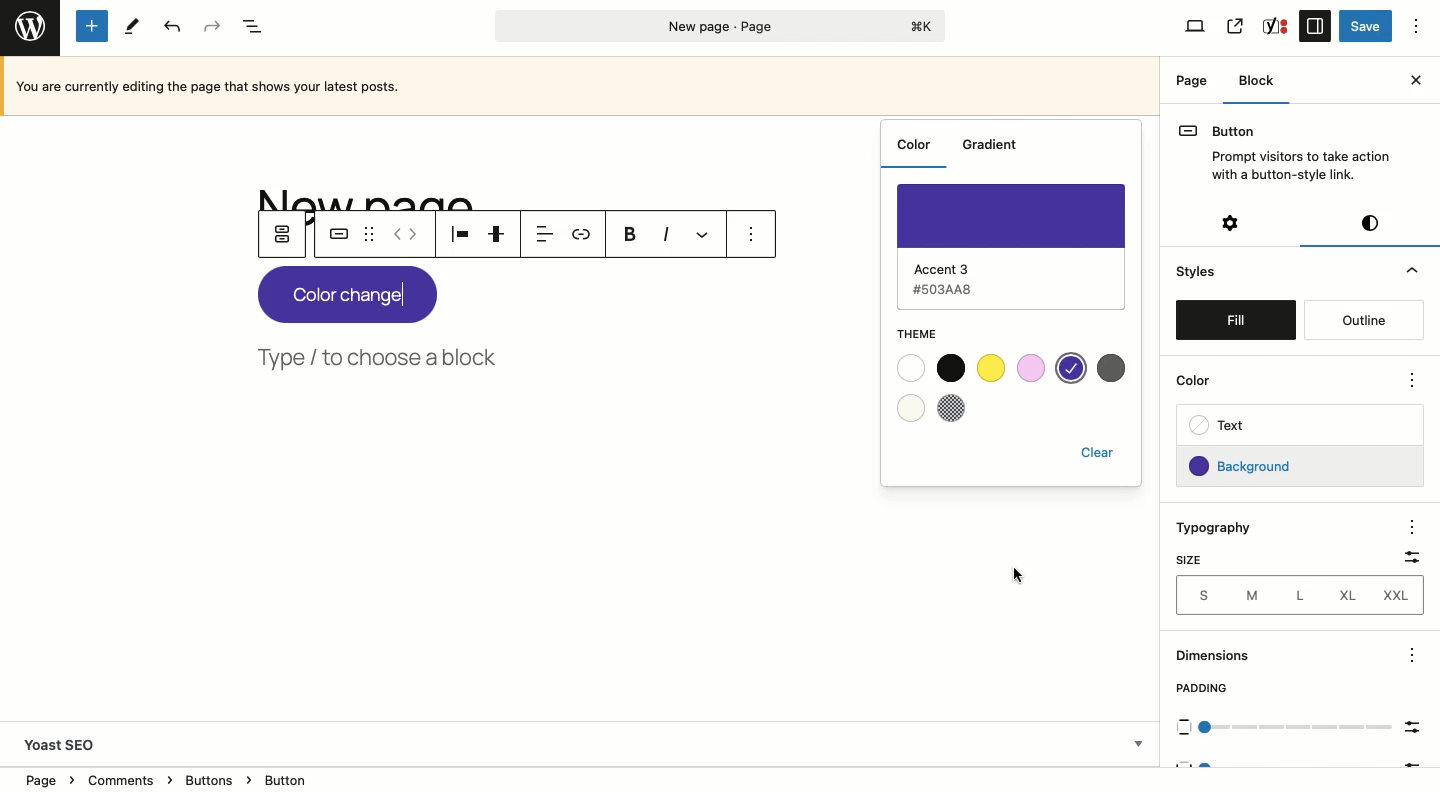  I want to click on Parent button, so click(285, 234).